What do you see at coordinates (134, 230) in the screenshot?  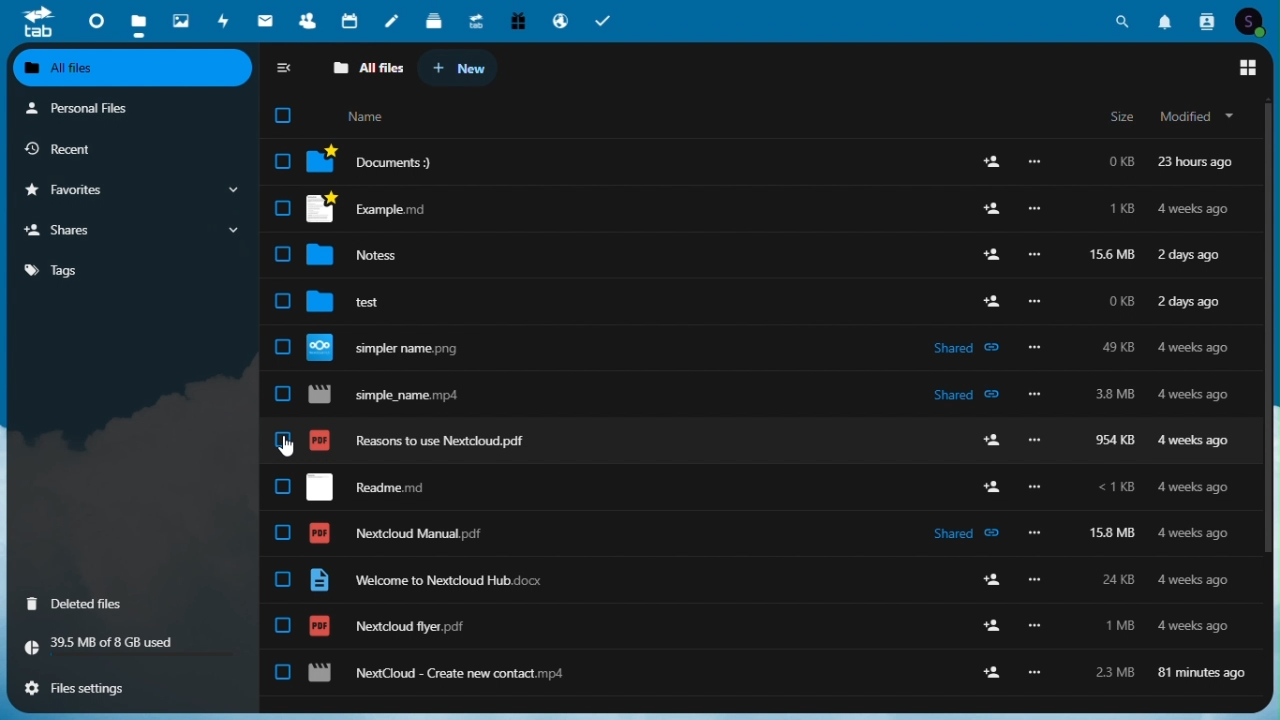 I see `shares` at bounding box center [134, 230].